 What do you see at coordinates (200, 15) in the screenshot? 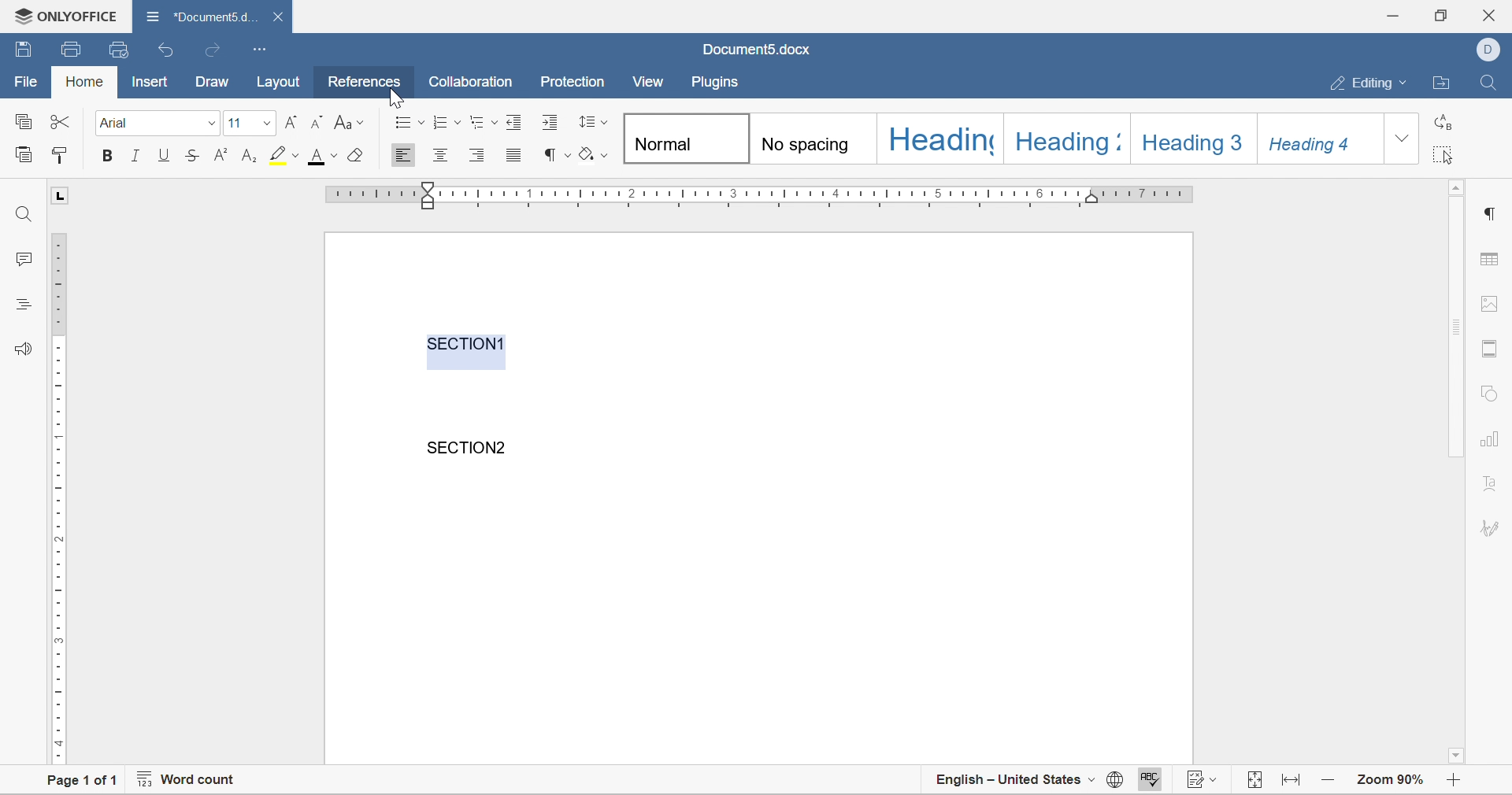
I see `document name` at bounding box center [200, 15].